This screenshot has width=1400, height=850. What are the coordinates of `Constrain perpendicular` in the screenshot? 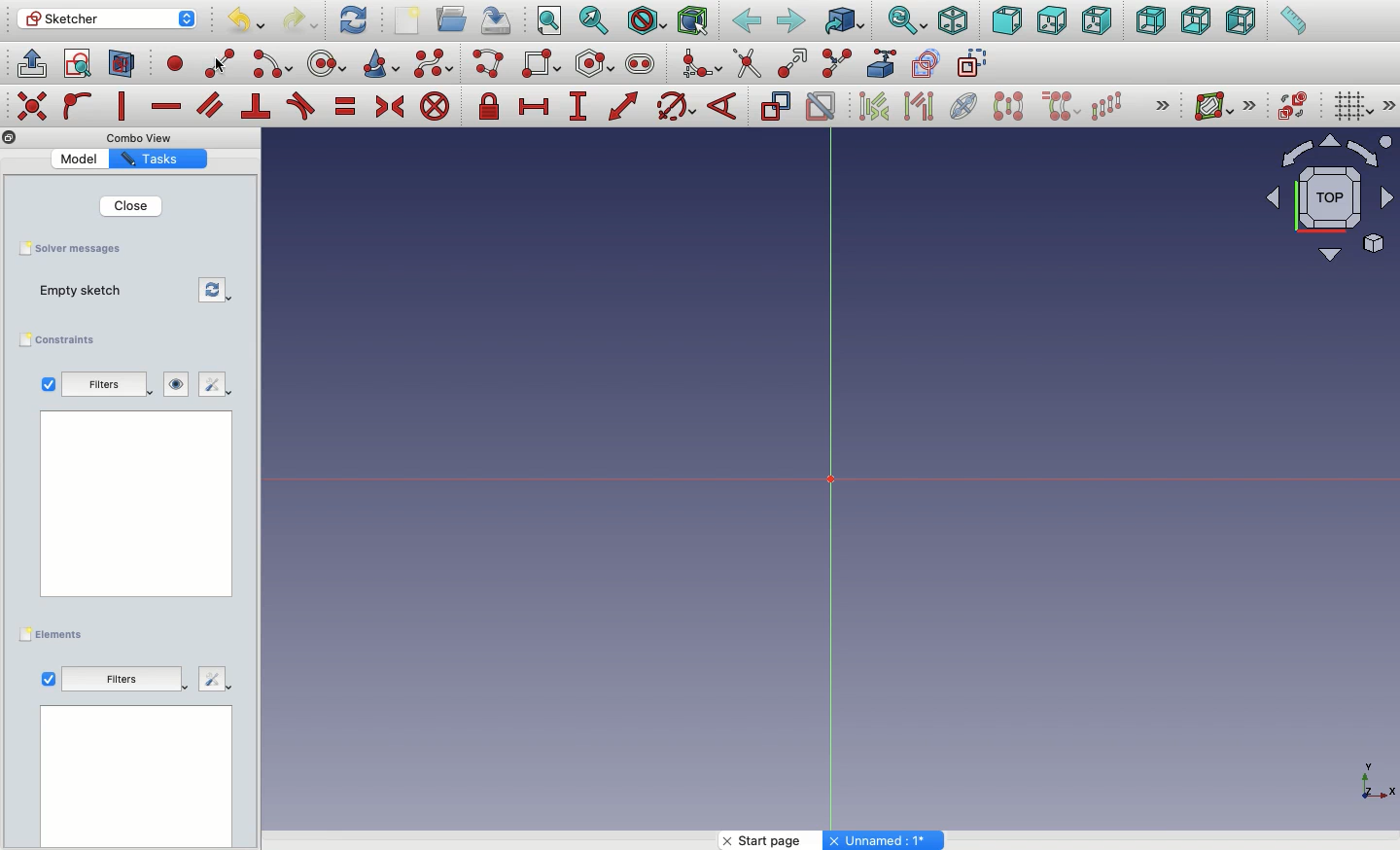 It's located at (257, 107).